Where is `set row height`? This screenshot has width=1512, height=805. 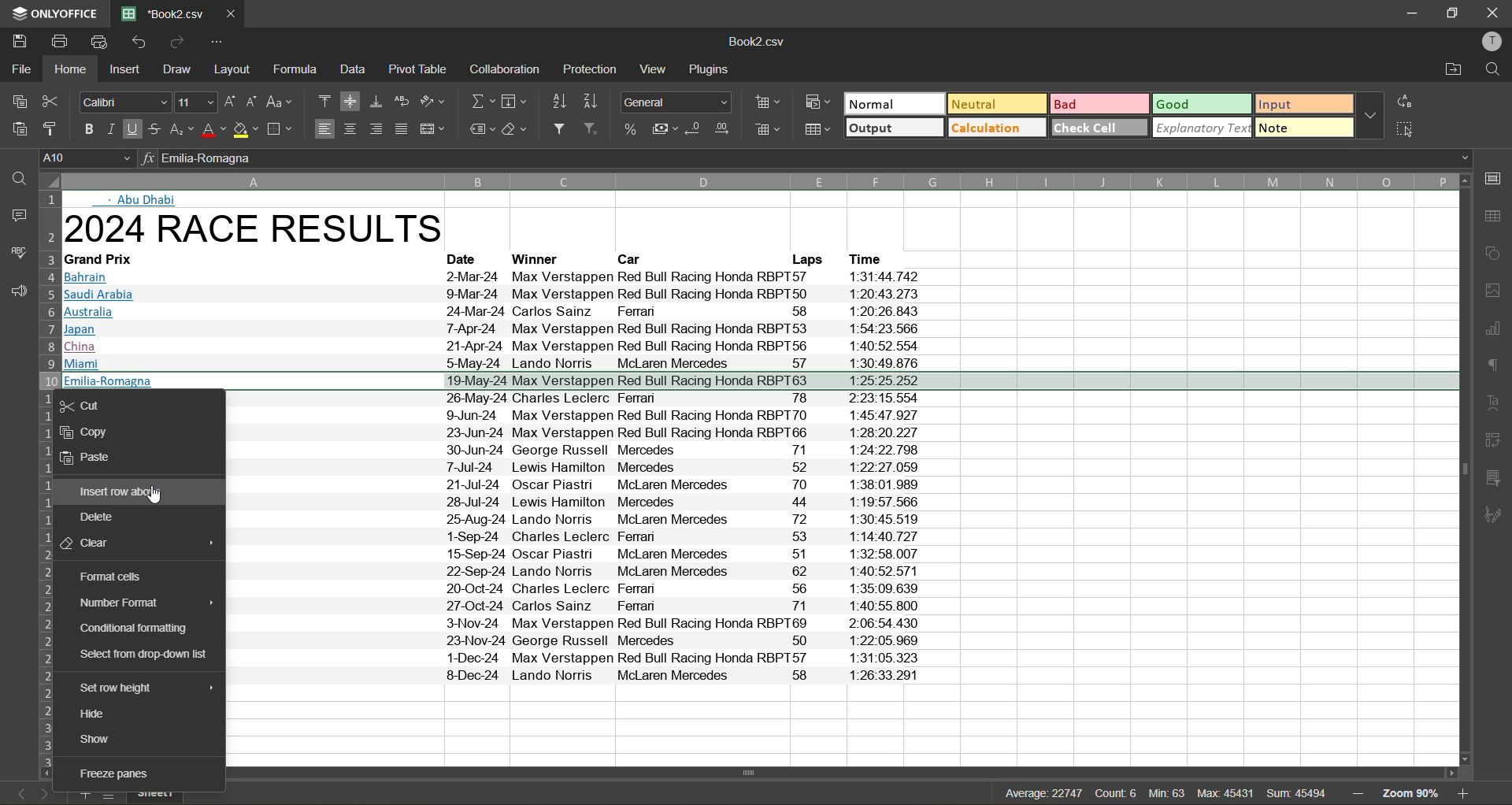
set row height is located at coordinates (144, 687).